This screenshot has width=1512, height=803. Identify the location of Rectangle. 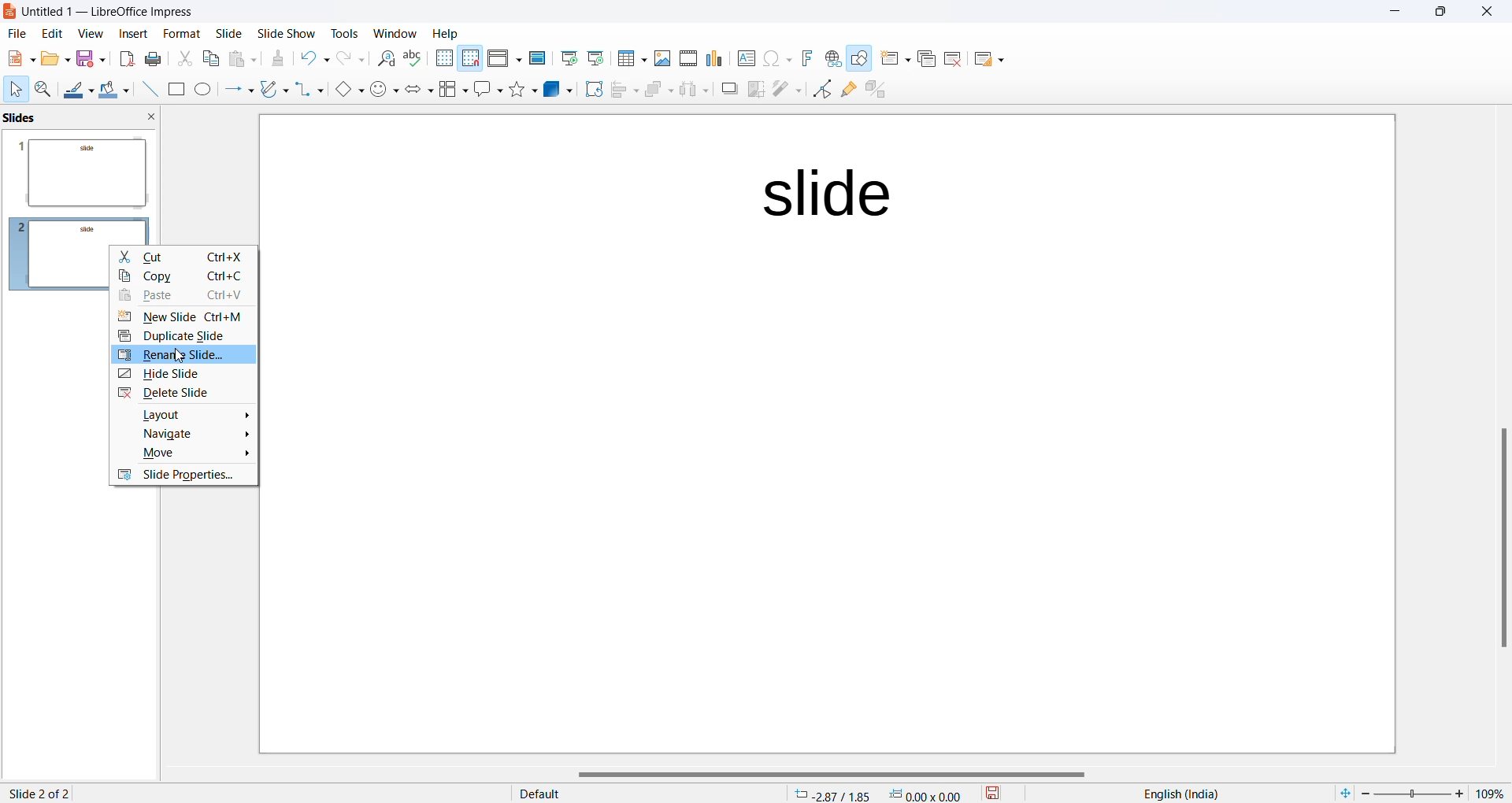
(174, 89).